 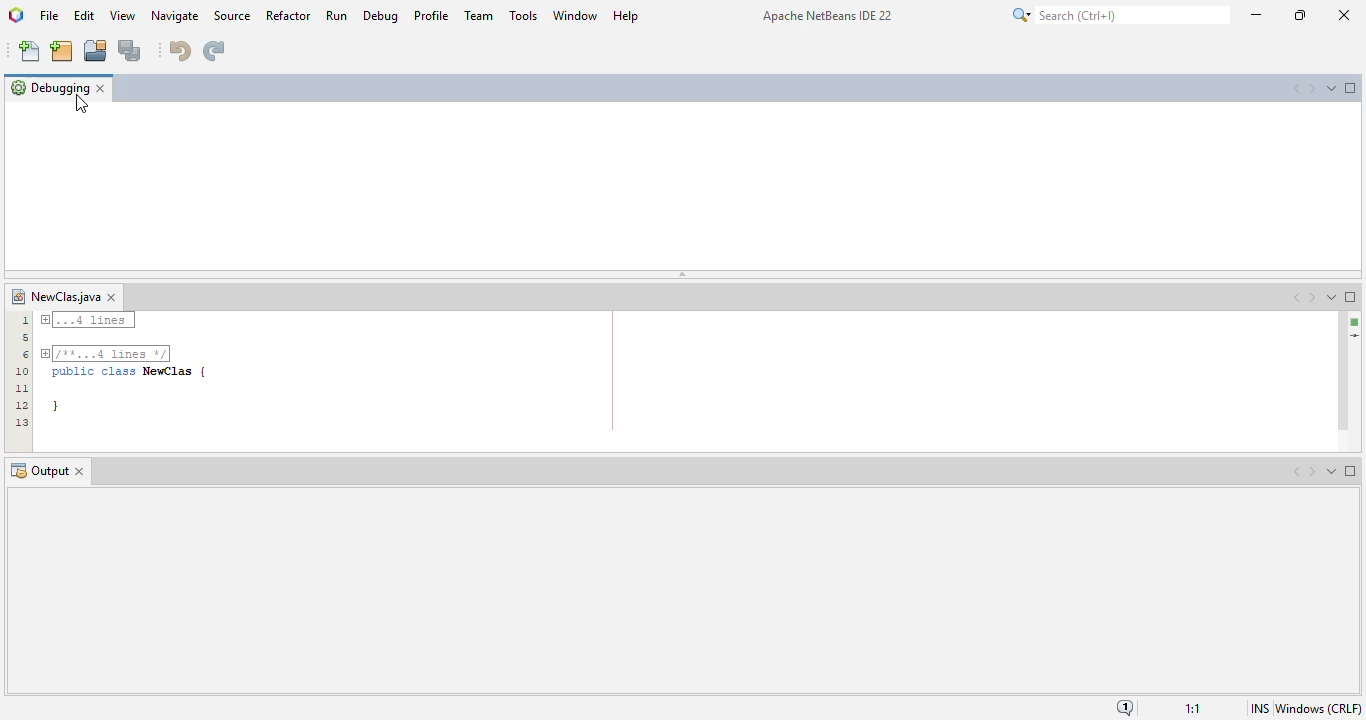 What do you see at coordinates (30, 52) in the screenshot?
I see `new file` at bounding box center [30, 52].